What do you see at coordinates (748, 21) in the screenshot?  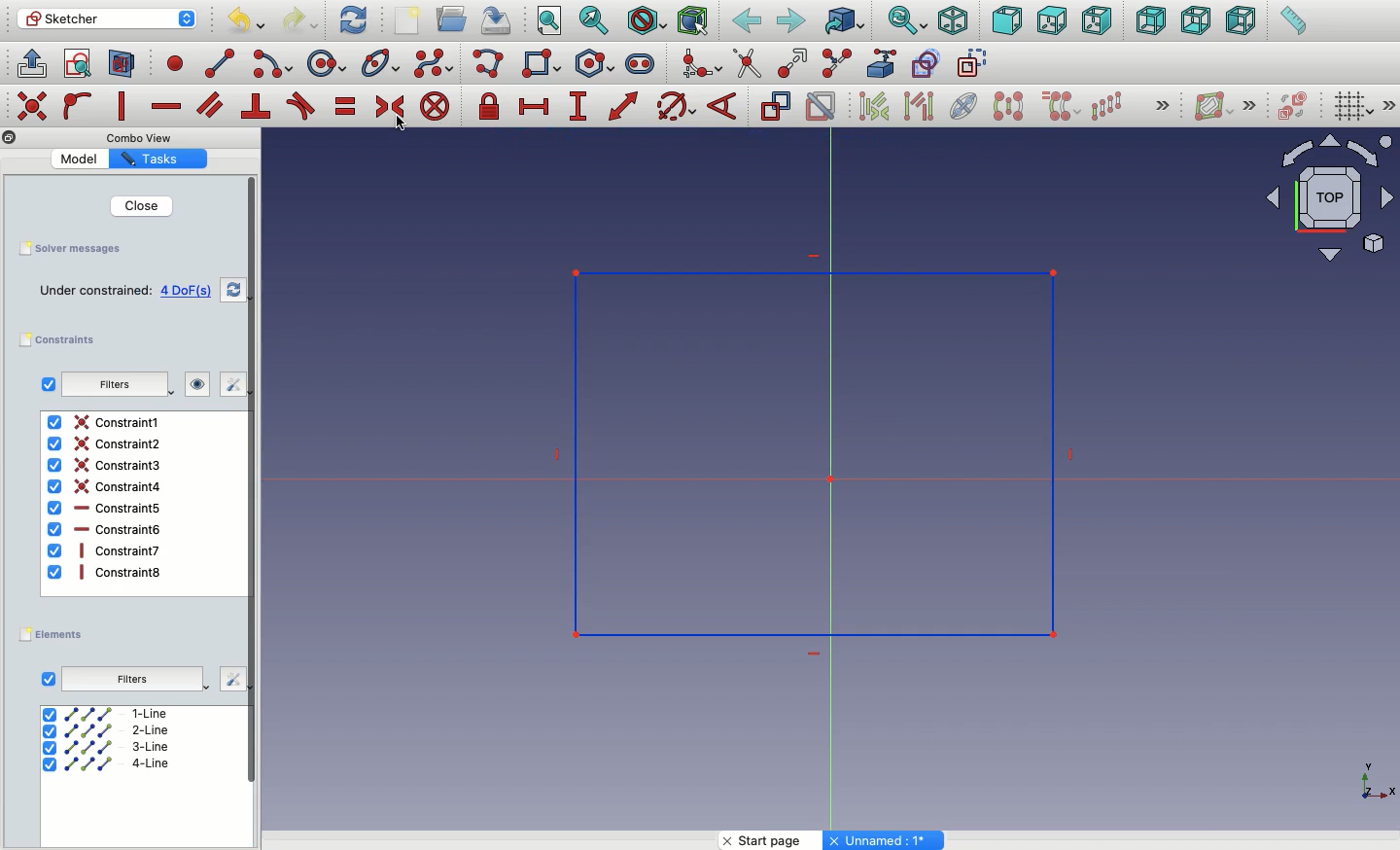 I see `Back` at bounding box center [748, 21].